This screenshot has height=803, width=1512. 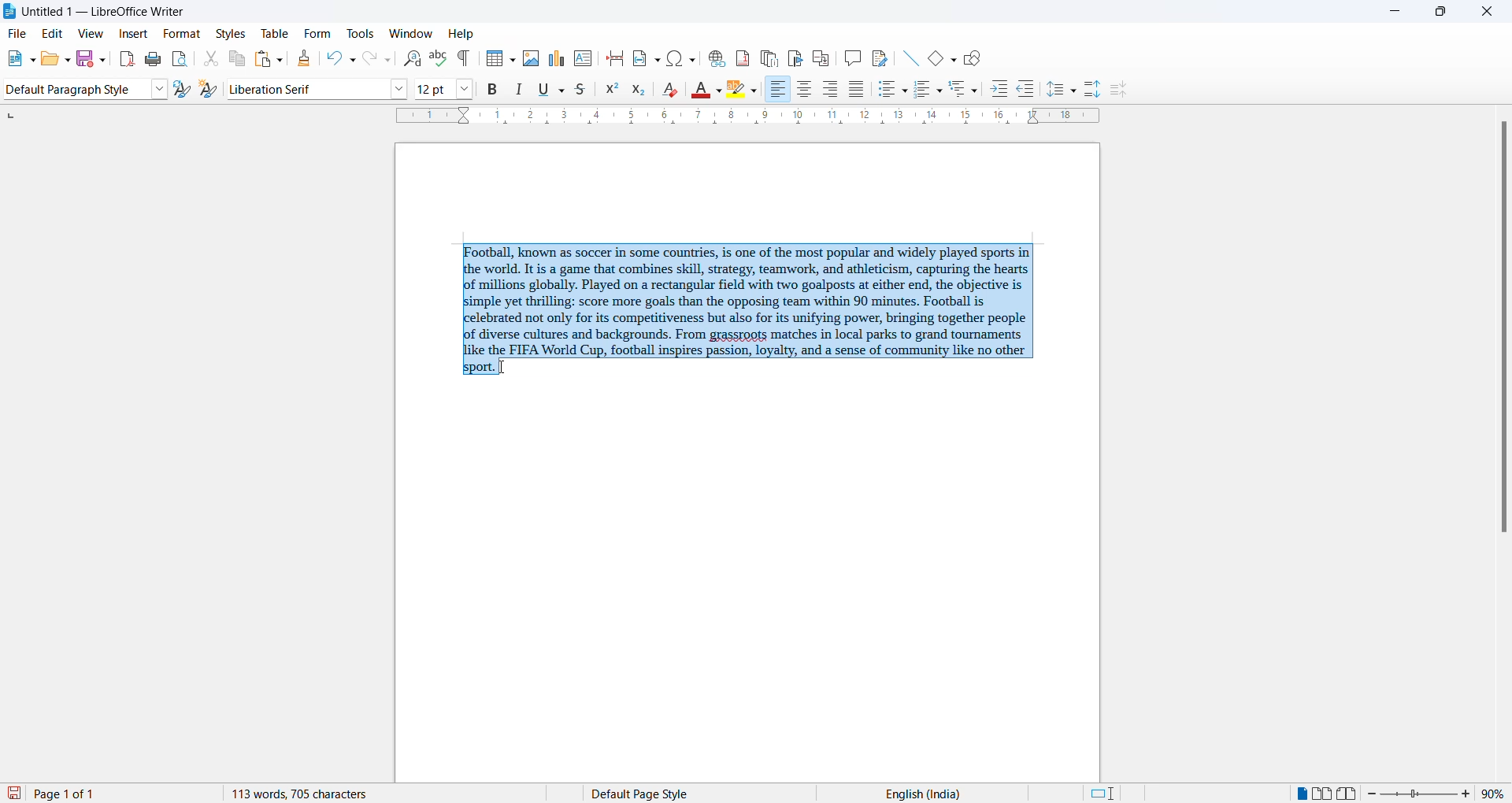 What do you see at coordinates (20, 33) in the screenshot?
I see `file` at bounding box center [20, 33].